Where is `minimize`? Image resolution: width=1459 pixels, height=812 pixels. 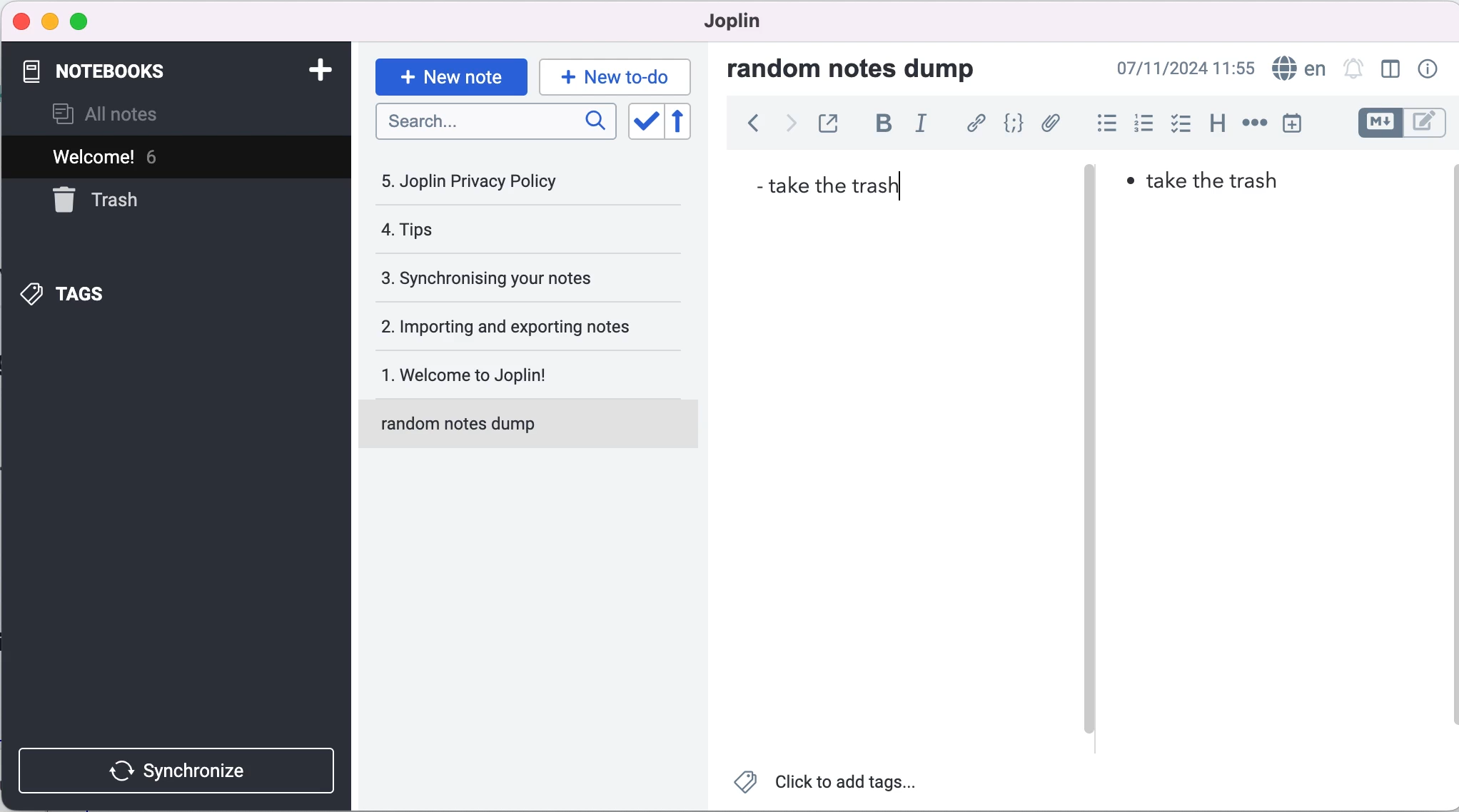 minimize is located at coordinates (49, 22).